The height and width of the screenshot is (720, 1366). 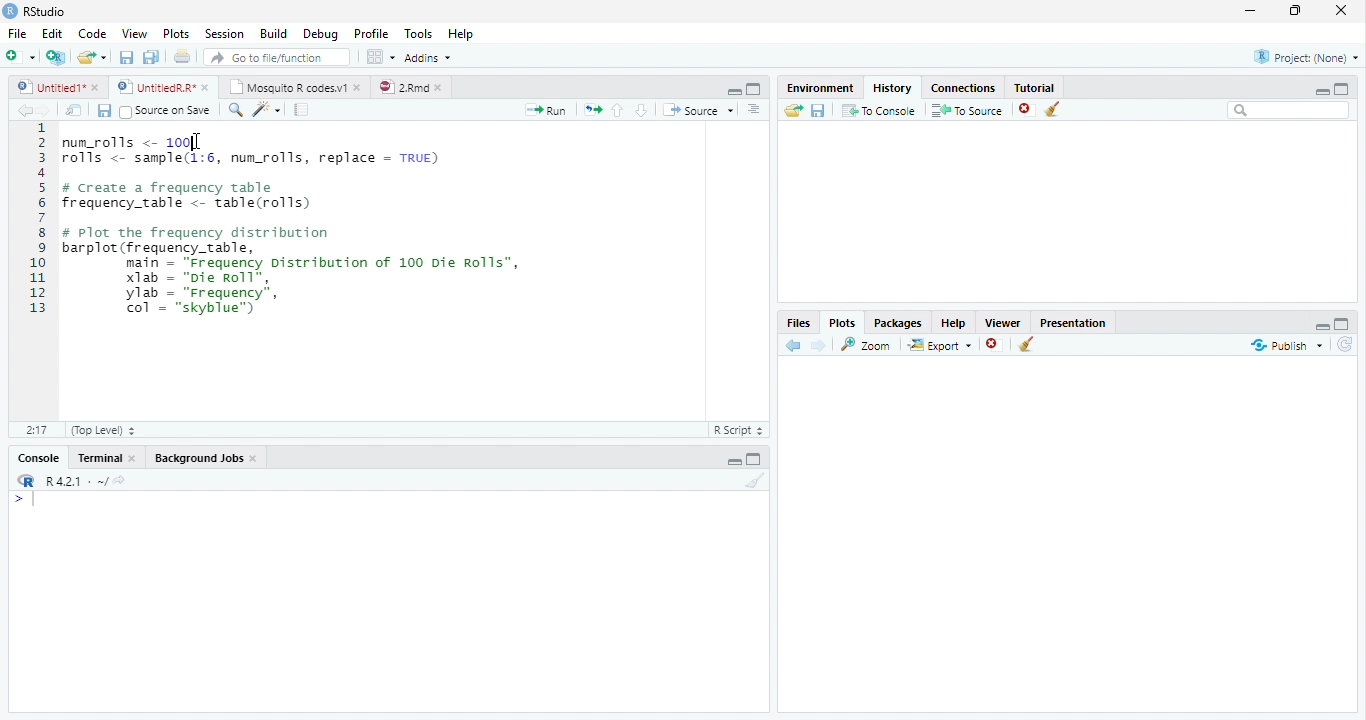 What do you see at coordinates (463, 33) in the screenshot?
I see `Help` at bounding box center [463, 33].